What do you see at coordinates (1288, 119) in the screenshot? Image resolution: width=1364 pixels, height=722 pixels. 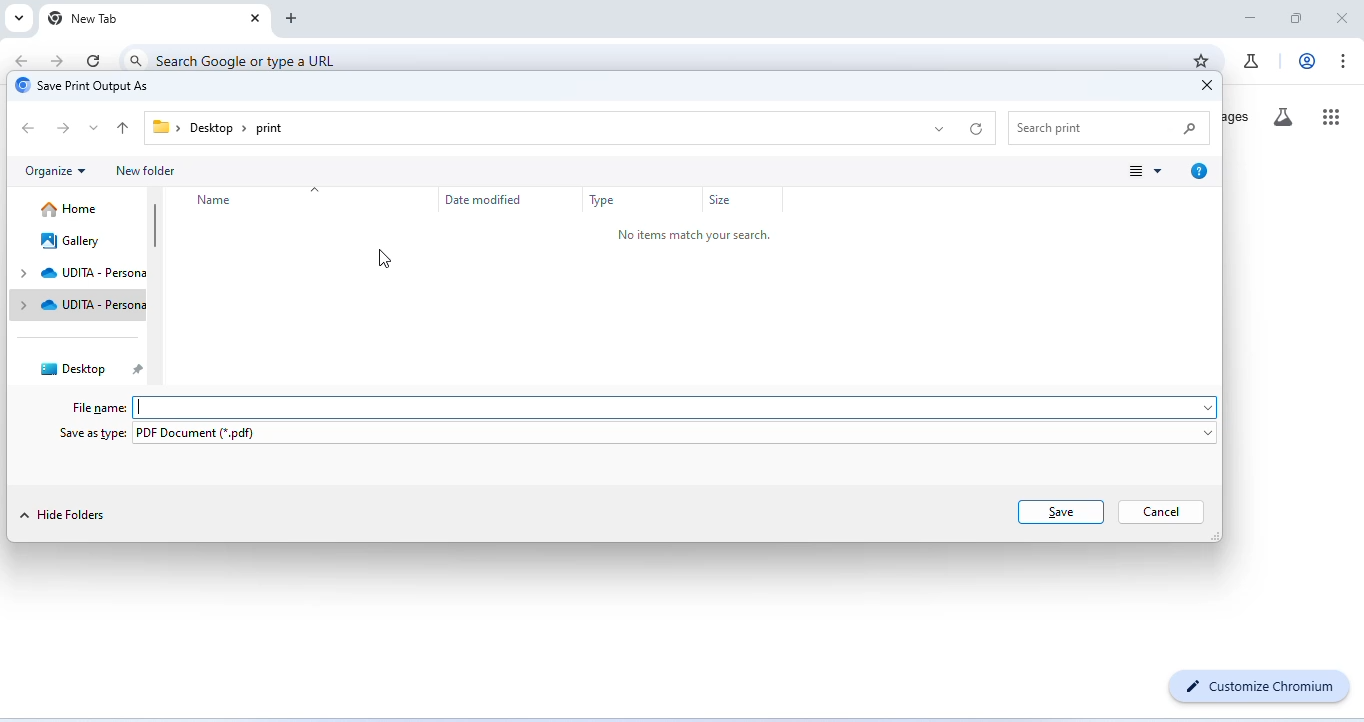 I see `search labs` at bounding box center [1288, 119].